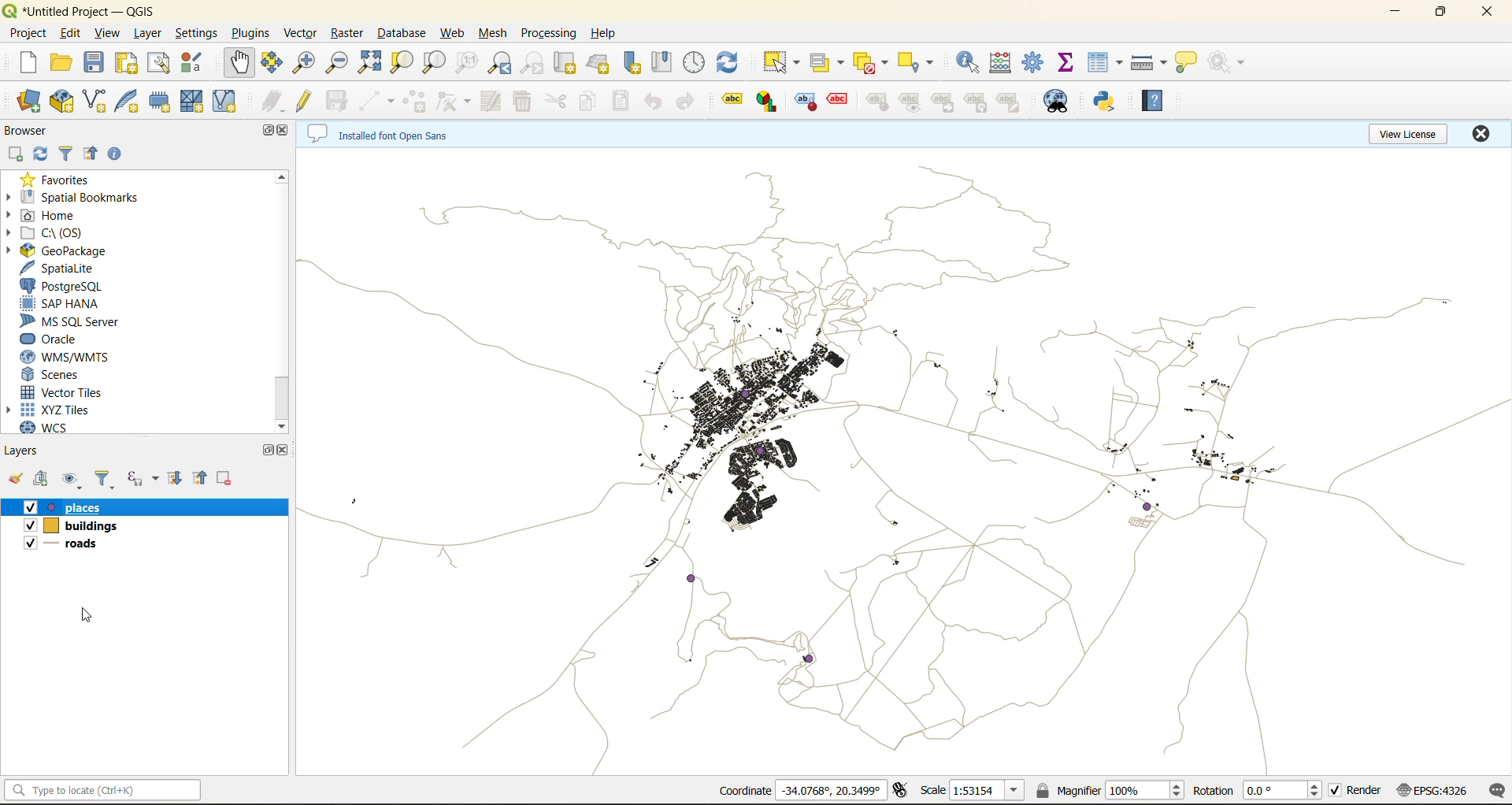  Describe the element at coordinates (695, 63) in the screenshot. I see `control panel` at that location.